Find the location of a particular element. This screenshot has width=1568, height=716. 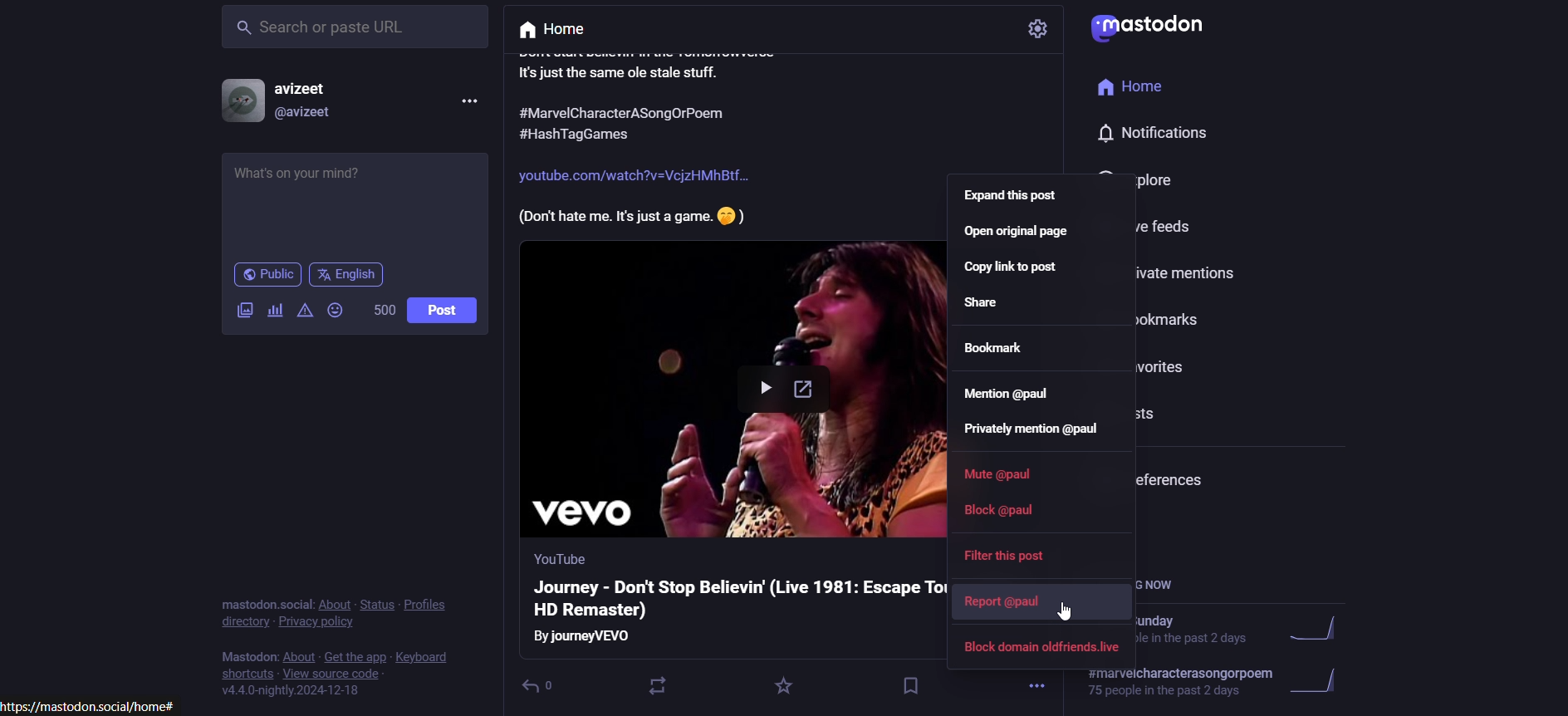

report this post is located at coordinates (1004, 601).